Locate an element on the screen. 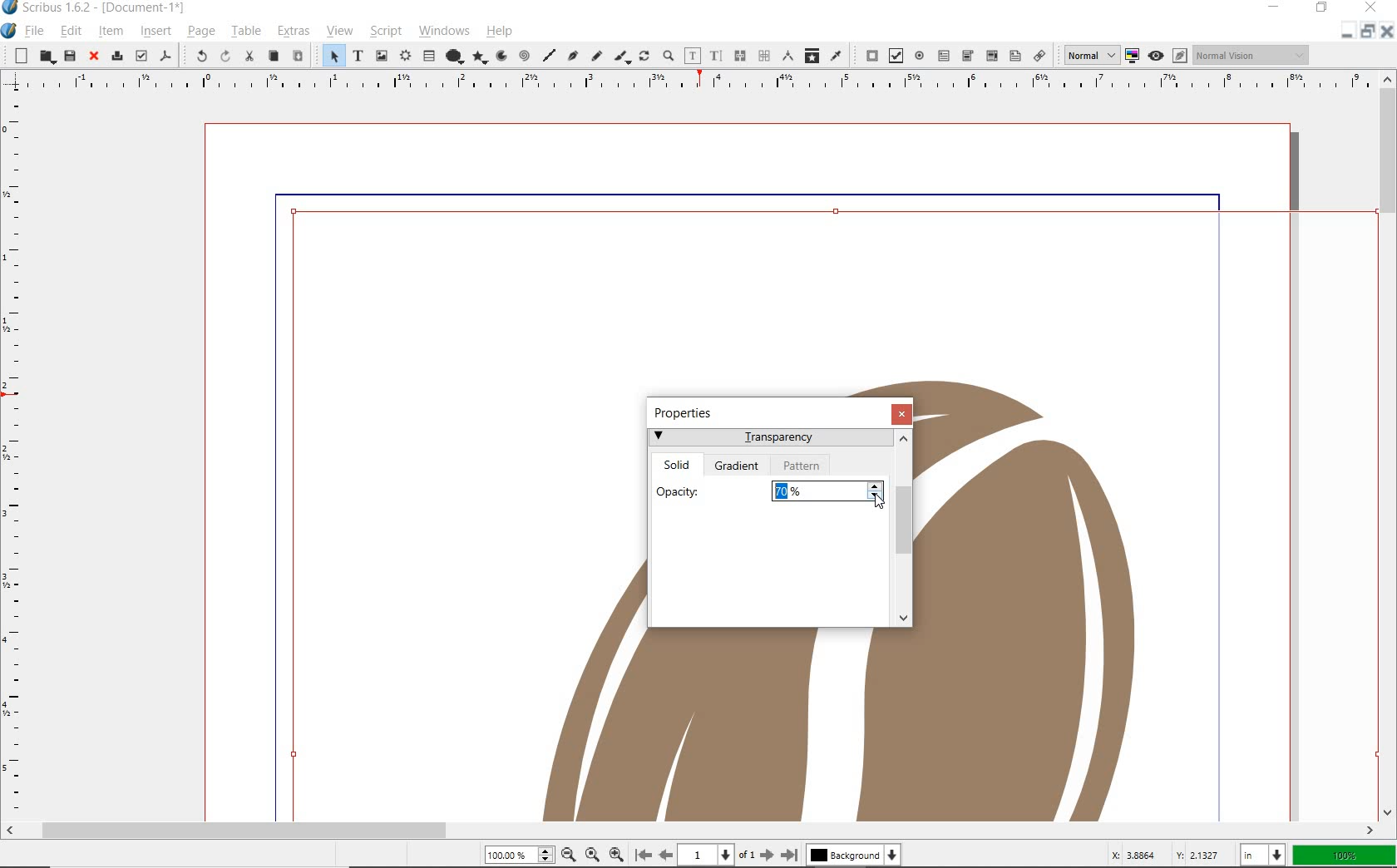  link annotation is located at coordinates (1039, 55).